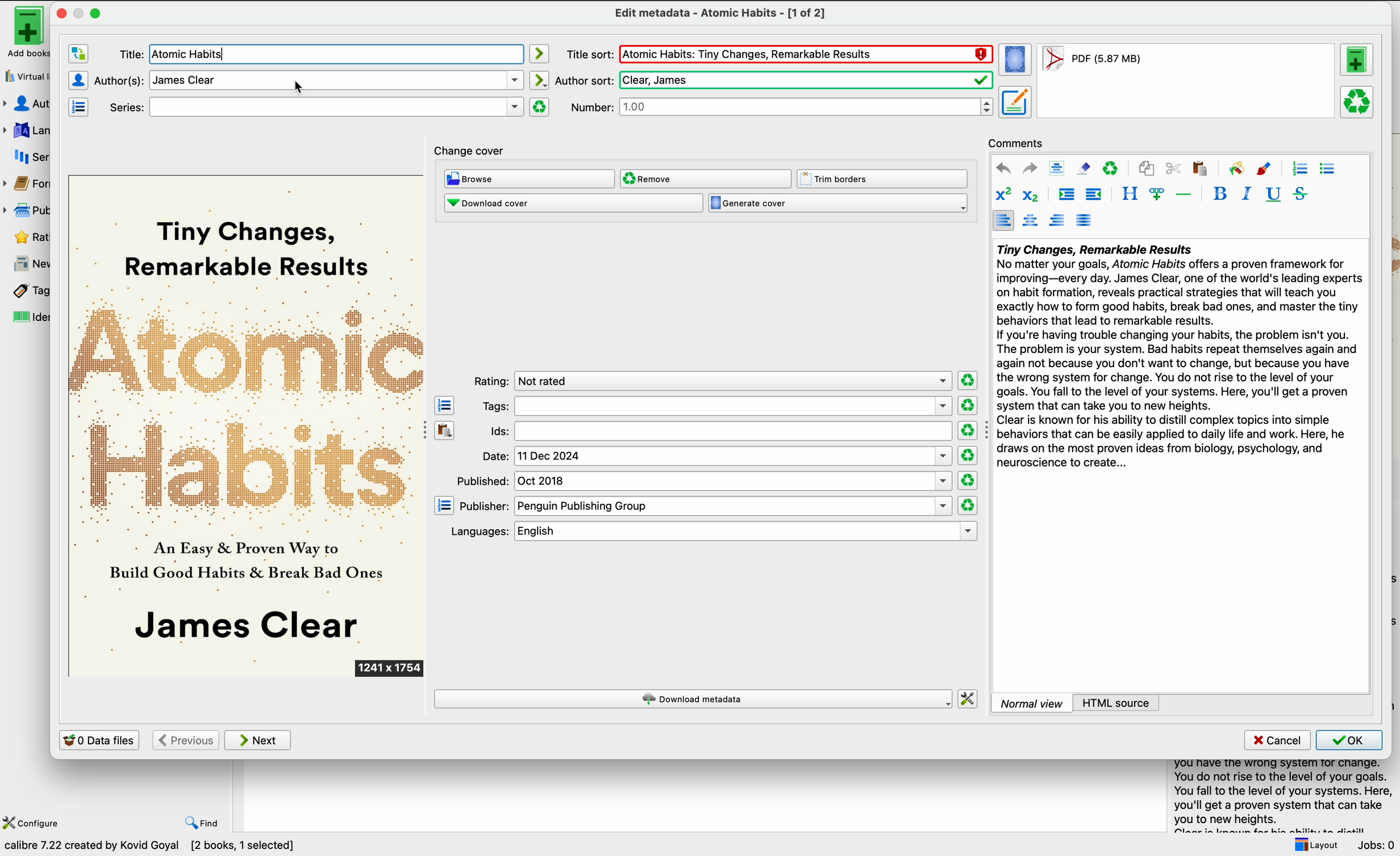  Describe the element at coordinates (29, 210) in the screenshot. I see `publisher` at that location.